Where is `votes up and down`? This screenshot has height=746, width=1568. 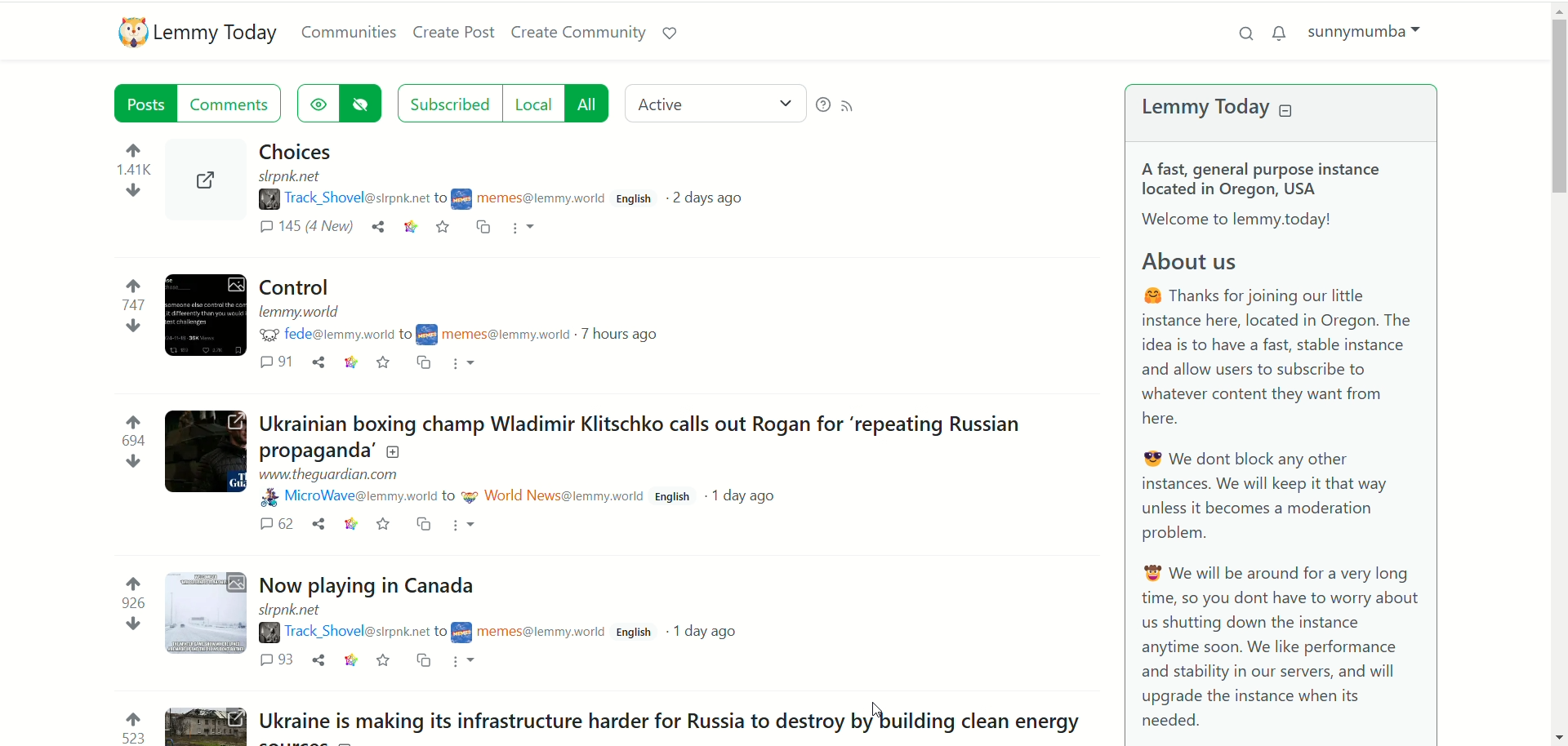 votes up and down is located at coordinates (134, 172).